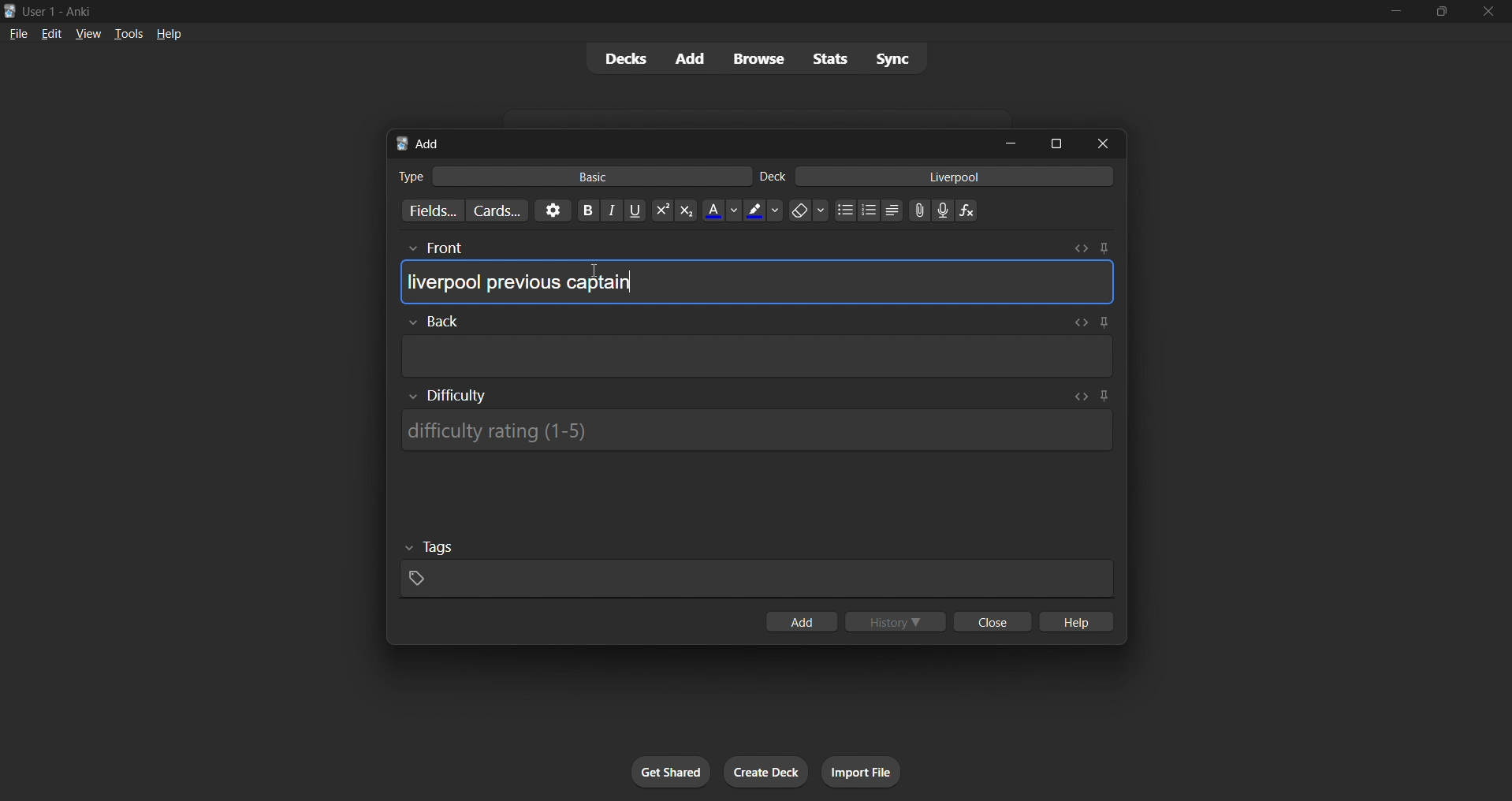 This screenshot has width=1512, height=801. Describe the element at coordinates (587, 209) in the screenshot. I see `Bold` at that location.